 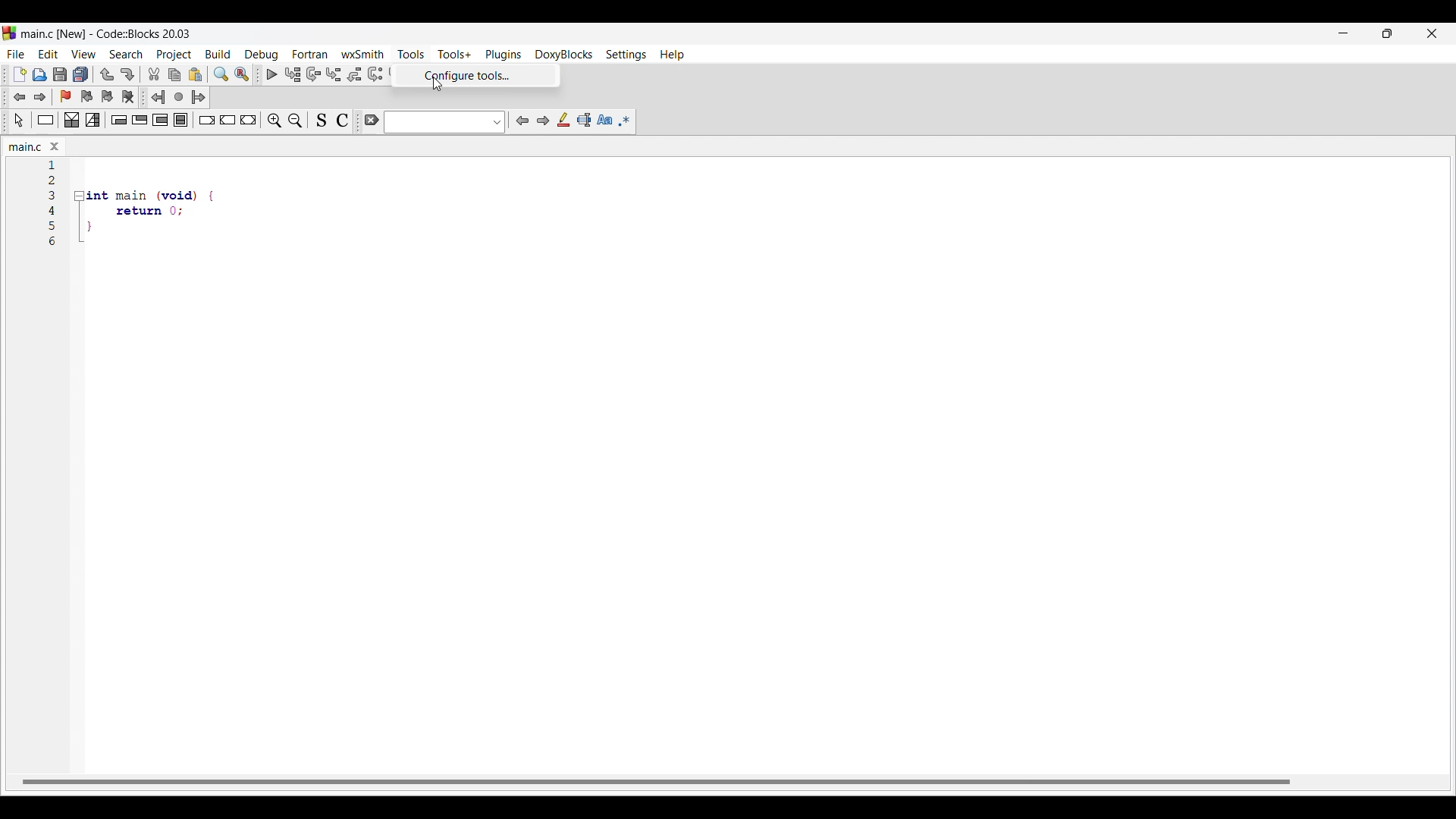 I want to click on Return instruction, so click(x=248, y=120).